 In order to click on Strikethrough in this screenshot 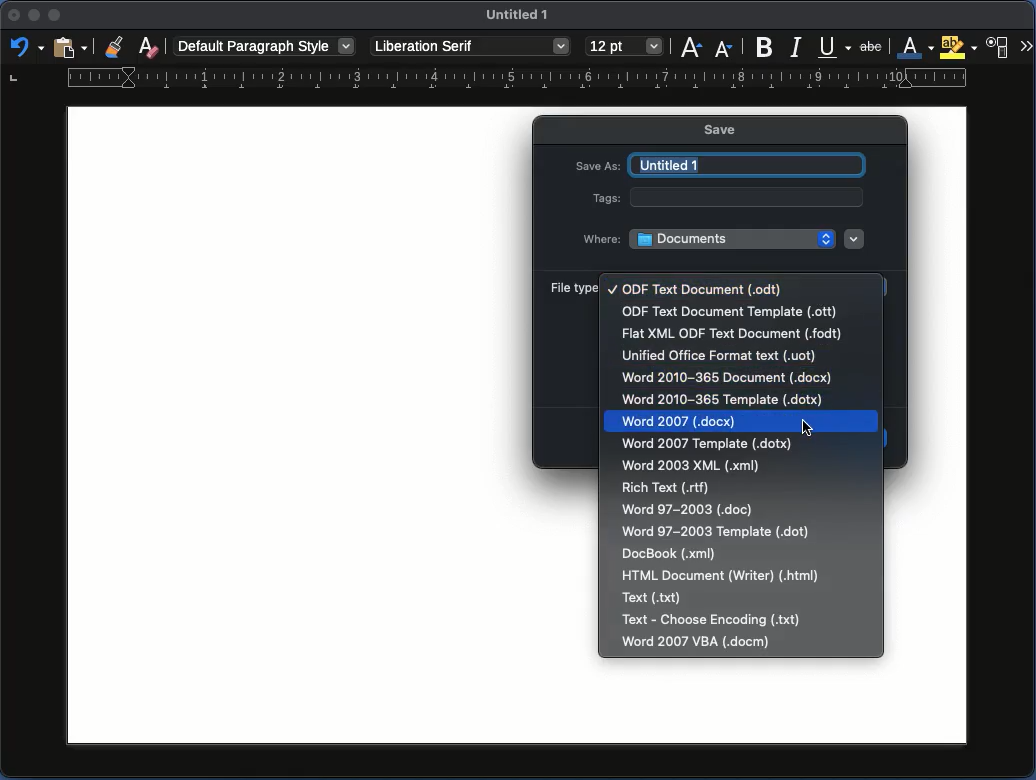, I will do `click(873, 45)`.